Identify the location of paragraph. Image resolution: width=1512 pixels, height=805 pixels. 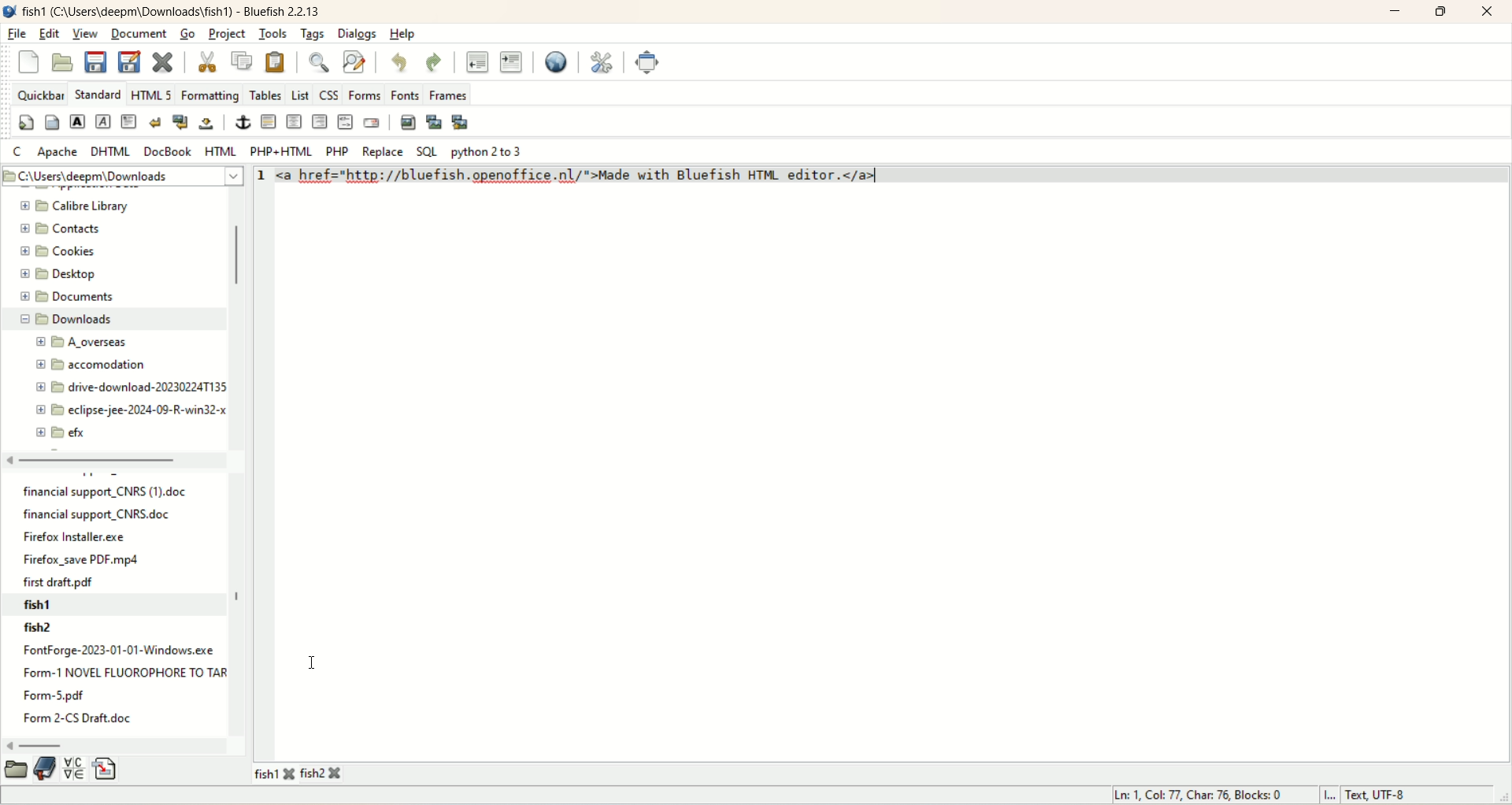
(130, 123).